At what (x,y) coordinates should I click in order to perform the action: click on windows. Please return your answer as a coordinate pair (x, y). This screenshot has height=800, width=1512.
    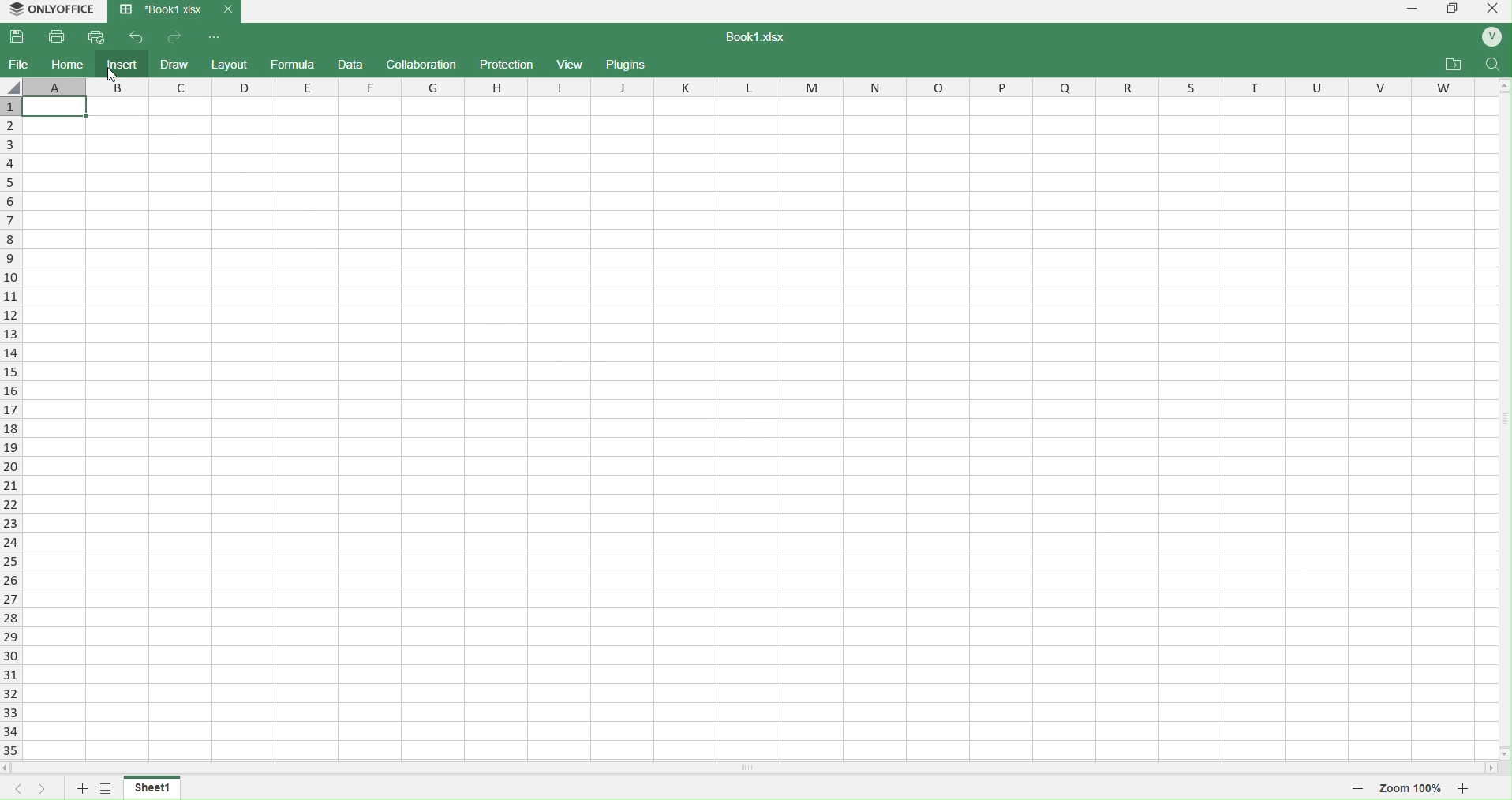
    Looking at the image, I should click on (1451, 11).